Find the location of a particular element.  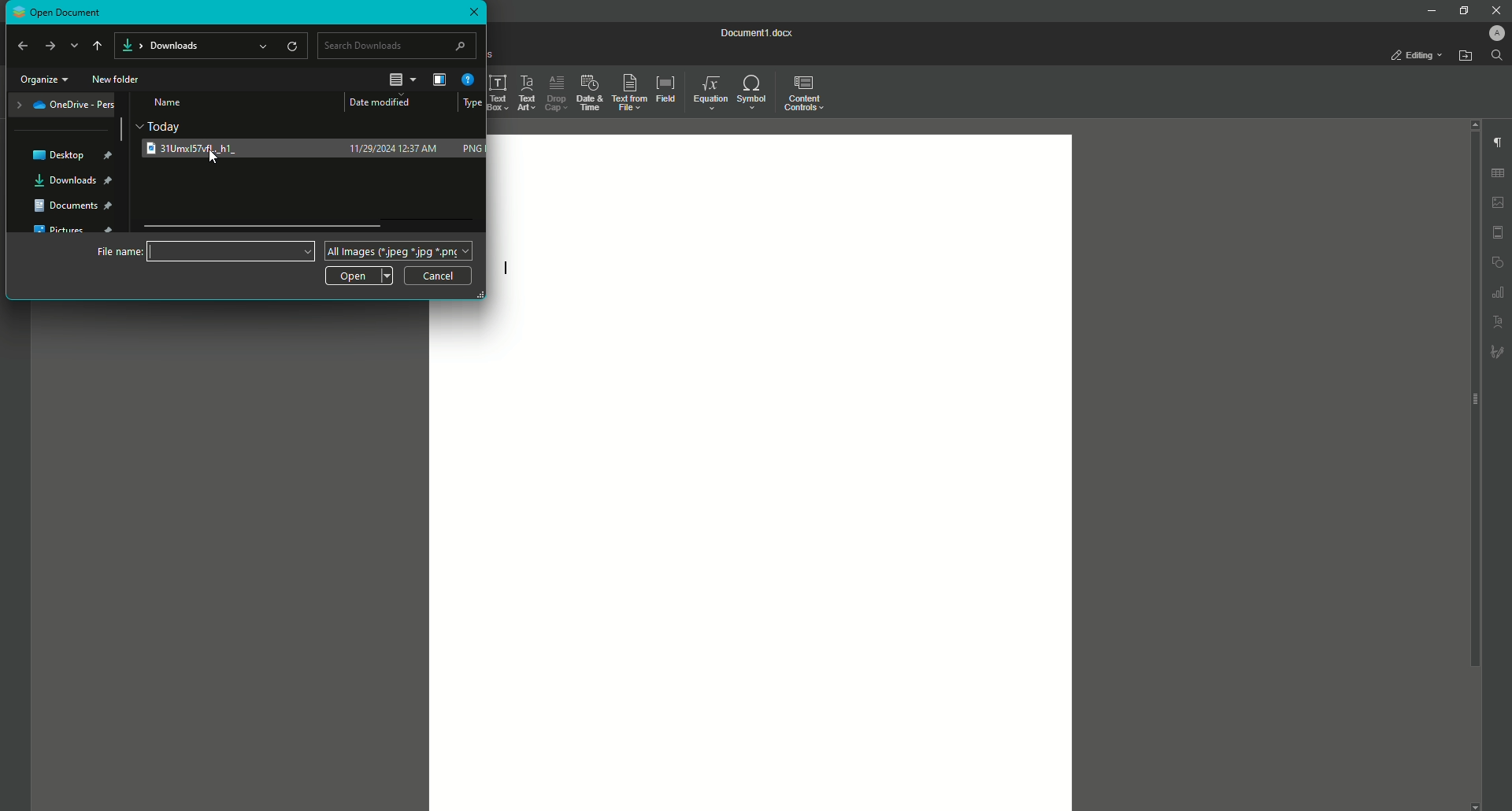

Date Modified is located at coordinates (386, 102).